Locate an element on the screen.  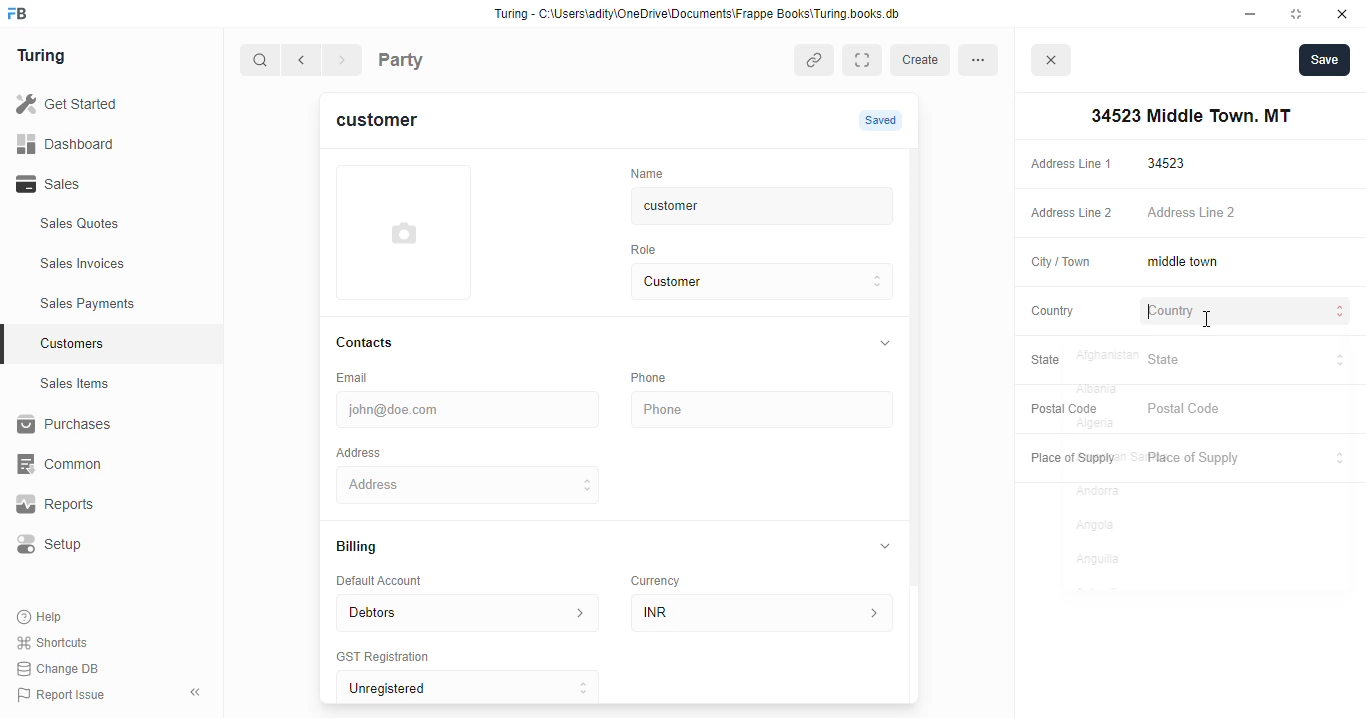
Currency is located at coordinates (664, 576).